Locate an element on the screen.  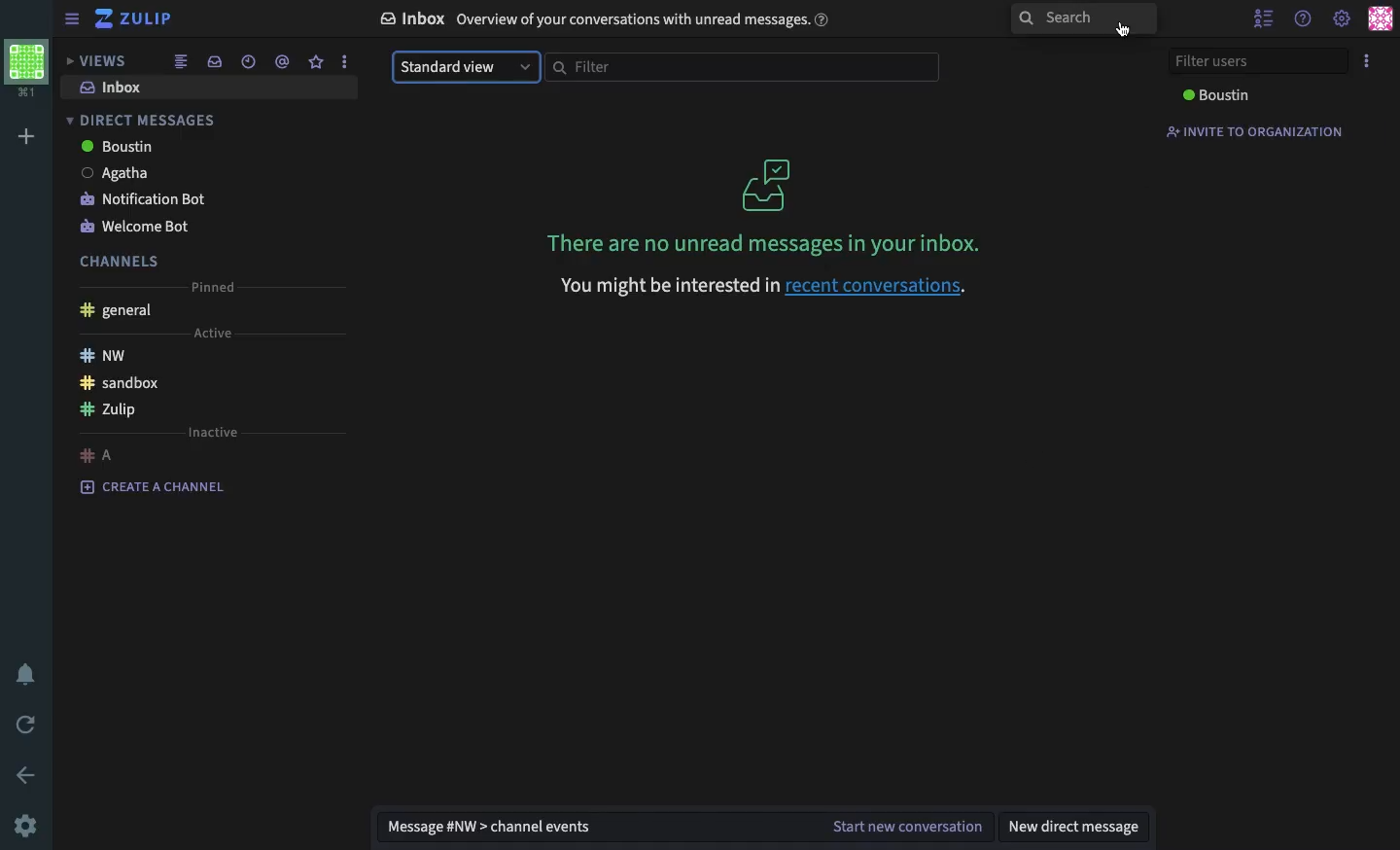
nw is located at coordinates (105, 358).